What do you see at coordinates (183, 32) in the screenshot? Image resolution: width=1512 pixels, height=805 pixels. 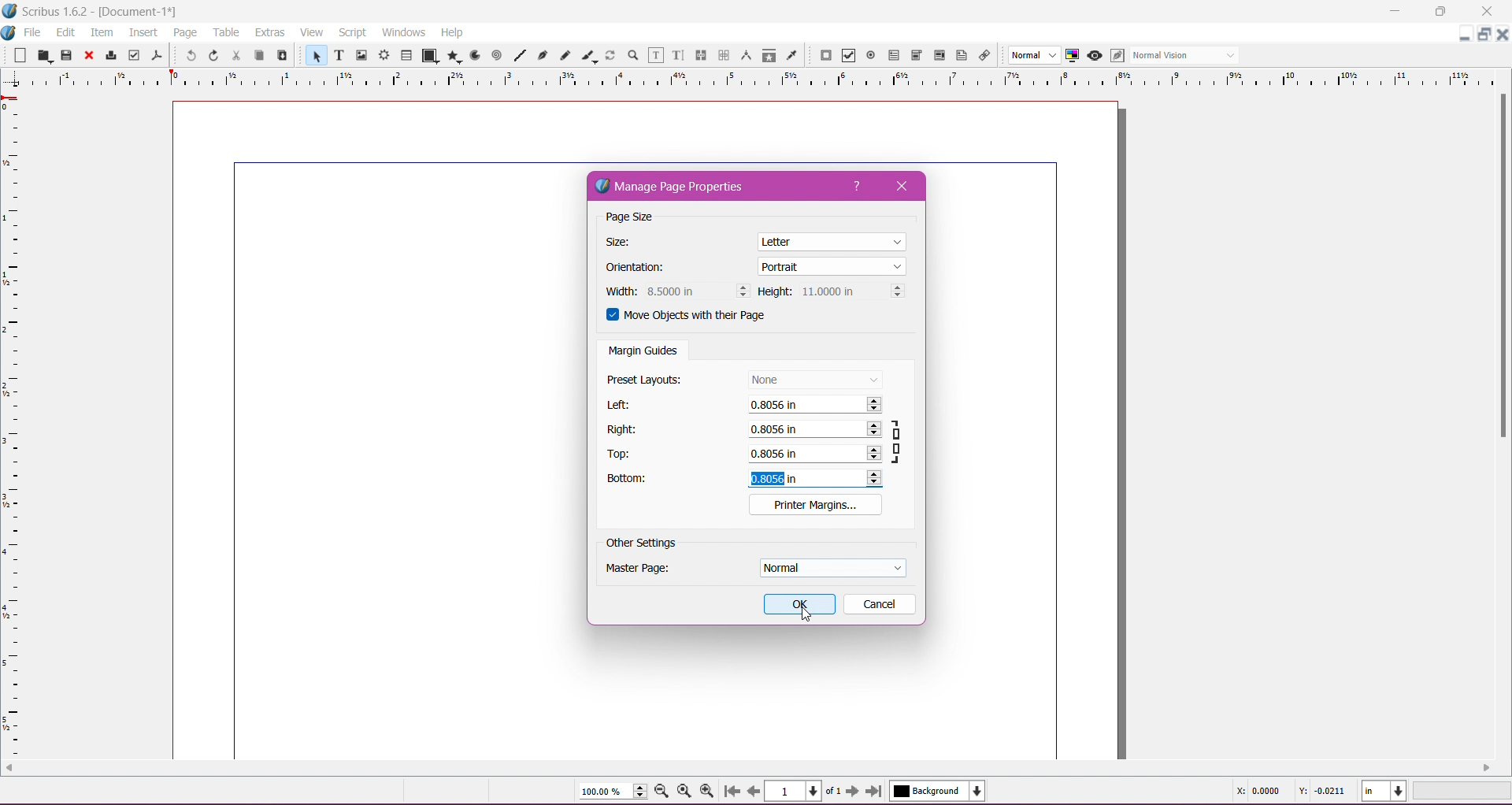 I see `Page` at bounding box center [183, 32].